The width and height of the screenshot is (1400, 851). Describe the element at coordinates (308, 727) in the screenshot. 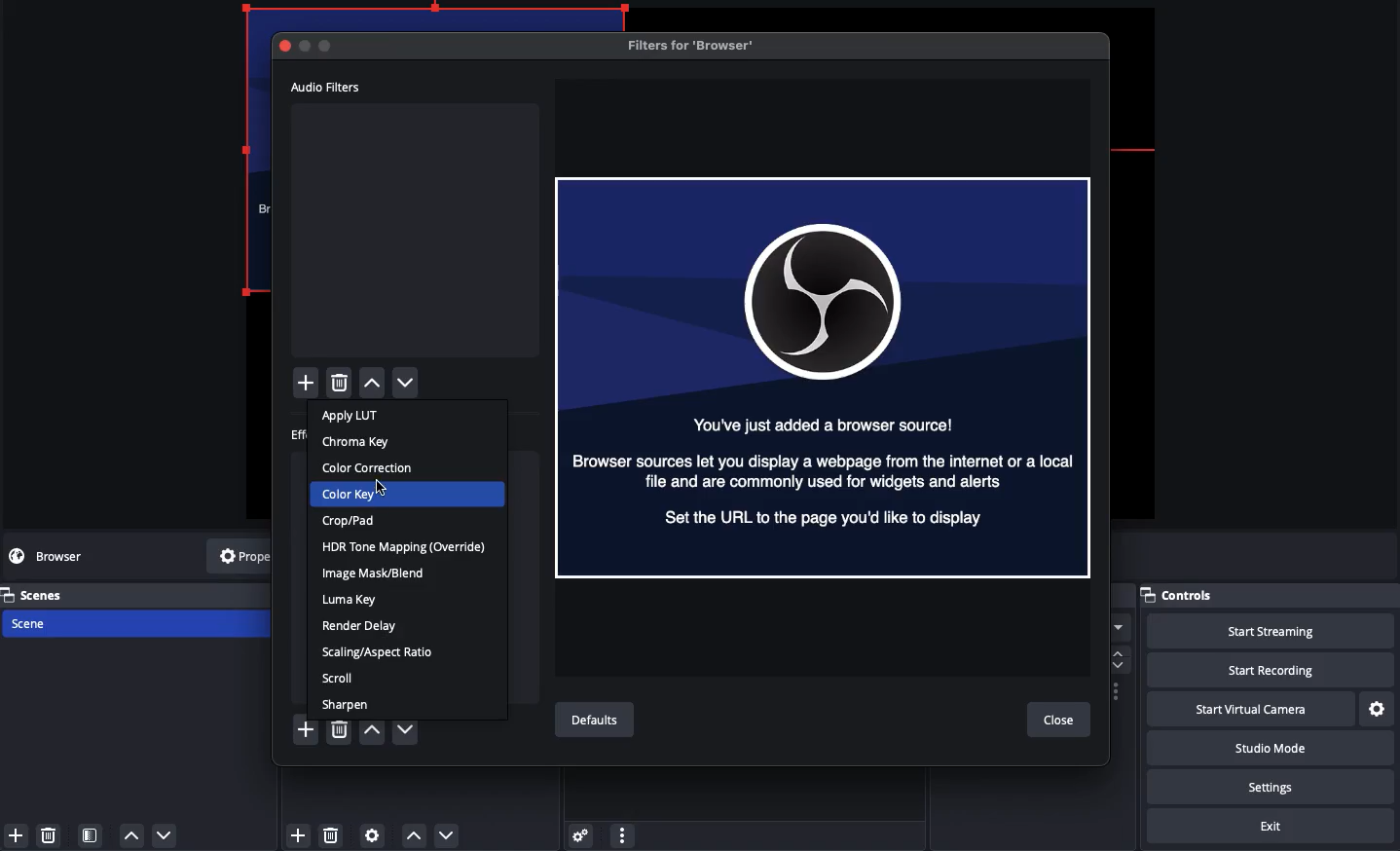

I see `Add` at that location.